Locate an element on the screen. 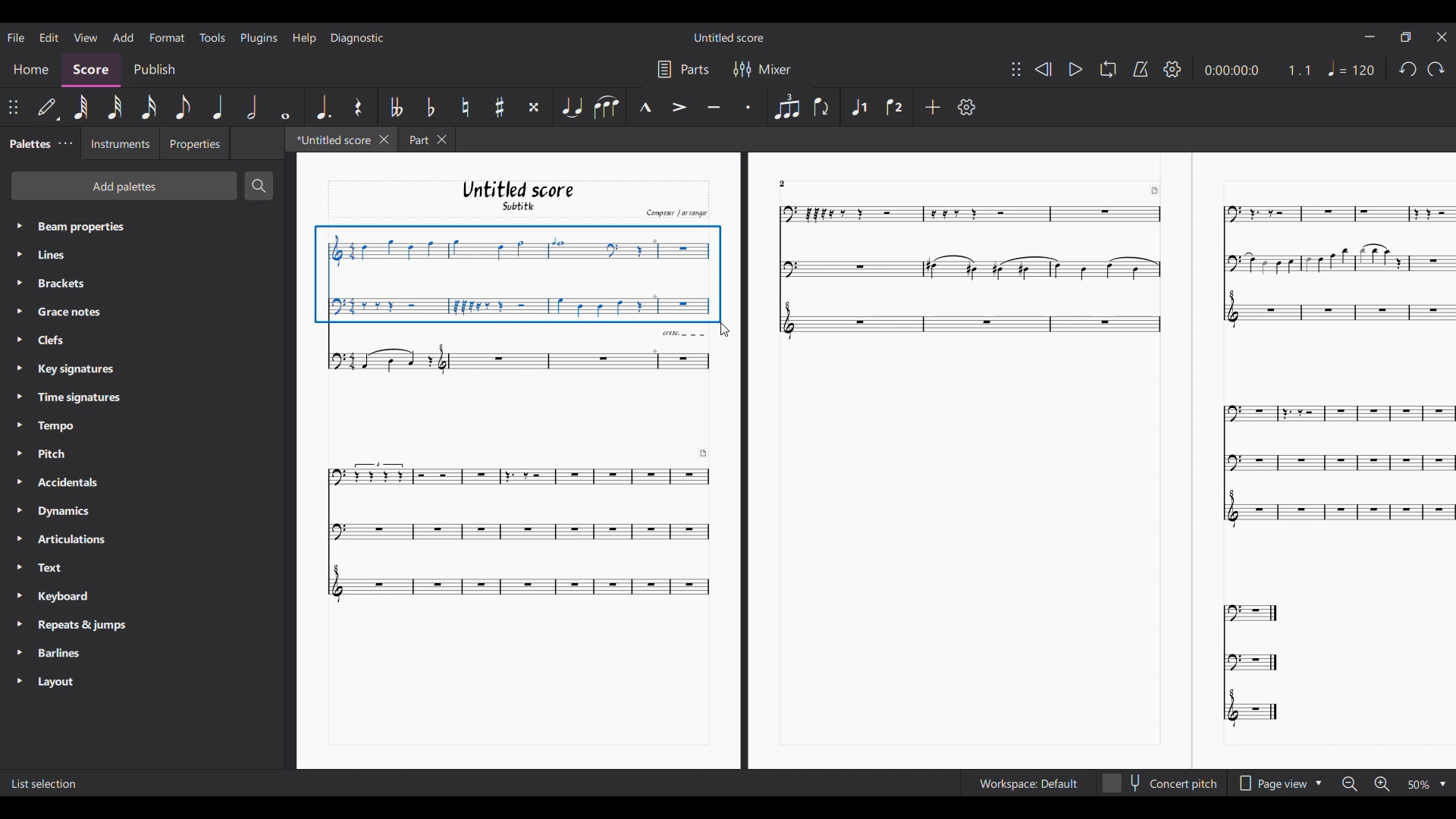 The height and width of the screenshot is (819, 1456). Whole note is located at coordinates (284, 107).